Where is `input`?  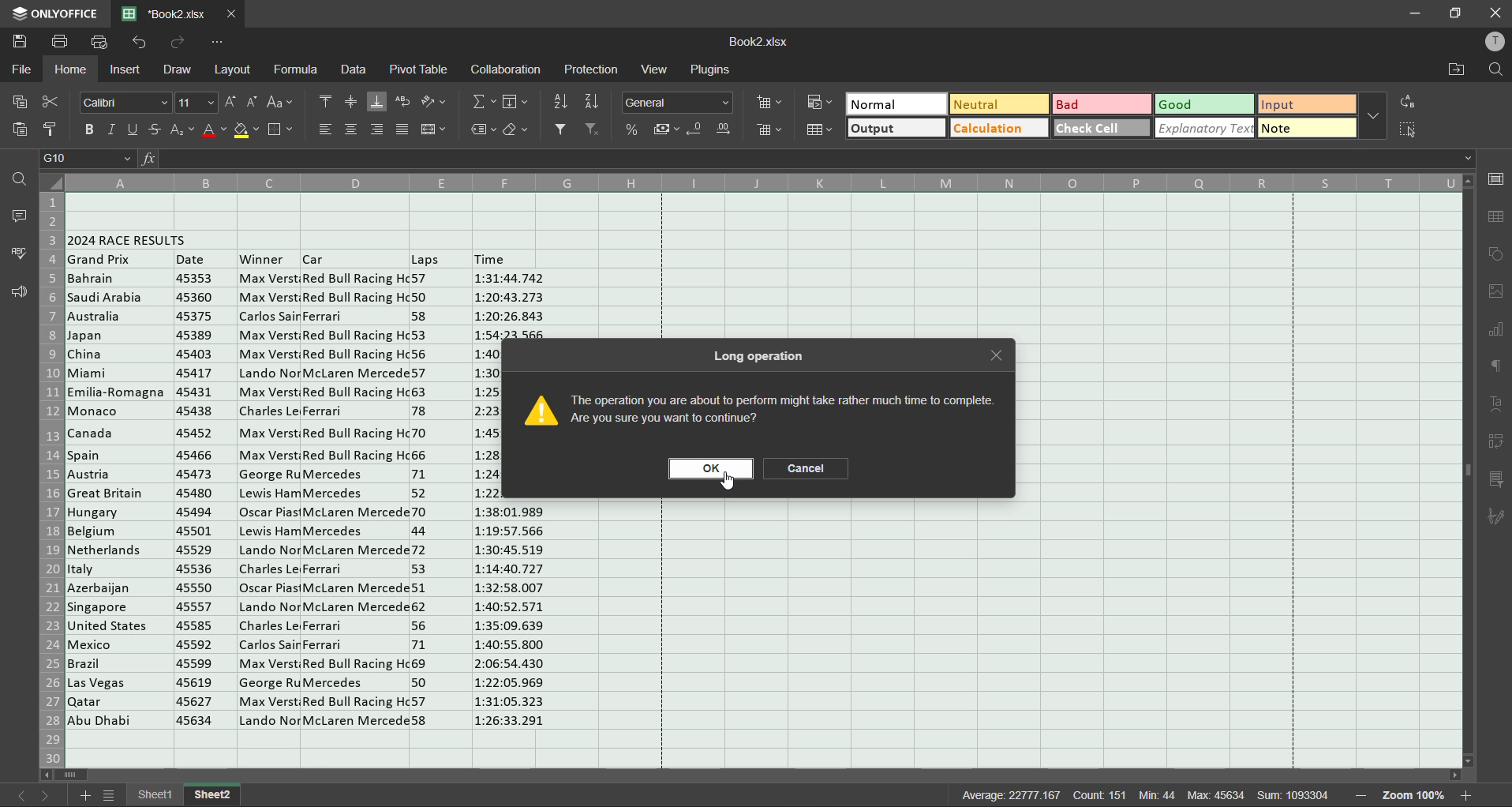
input is located at coordinates (1304, 106).